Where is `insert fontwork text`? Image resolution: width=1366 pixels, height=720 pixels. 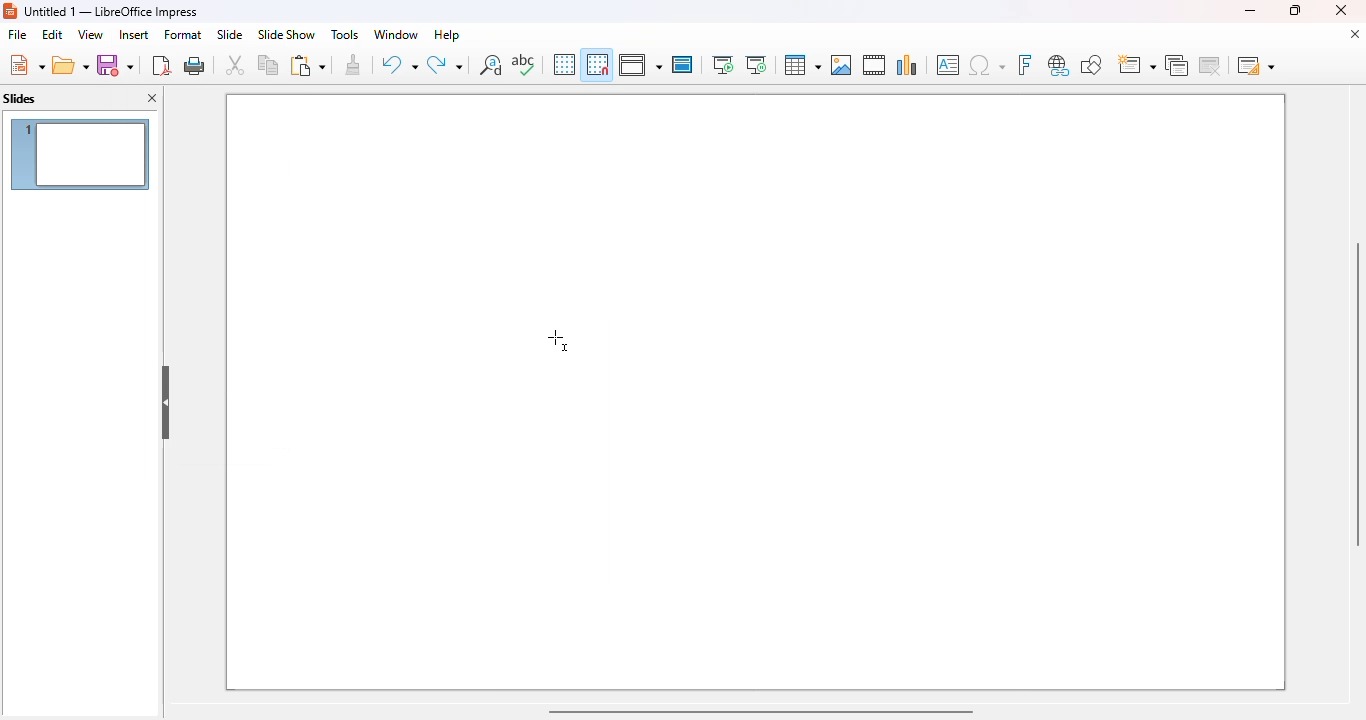
insert fontwork text is located at coordinates (1024, 64).